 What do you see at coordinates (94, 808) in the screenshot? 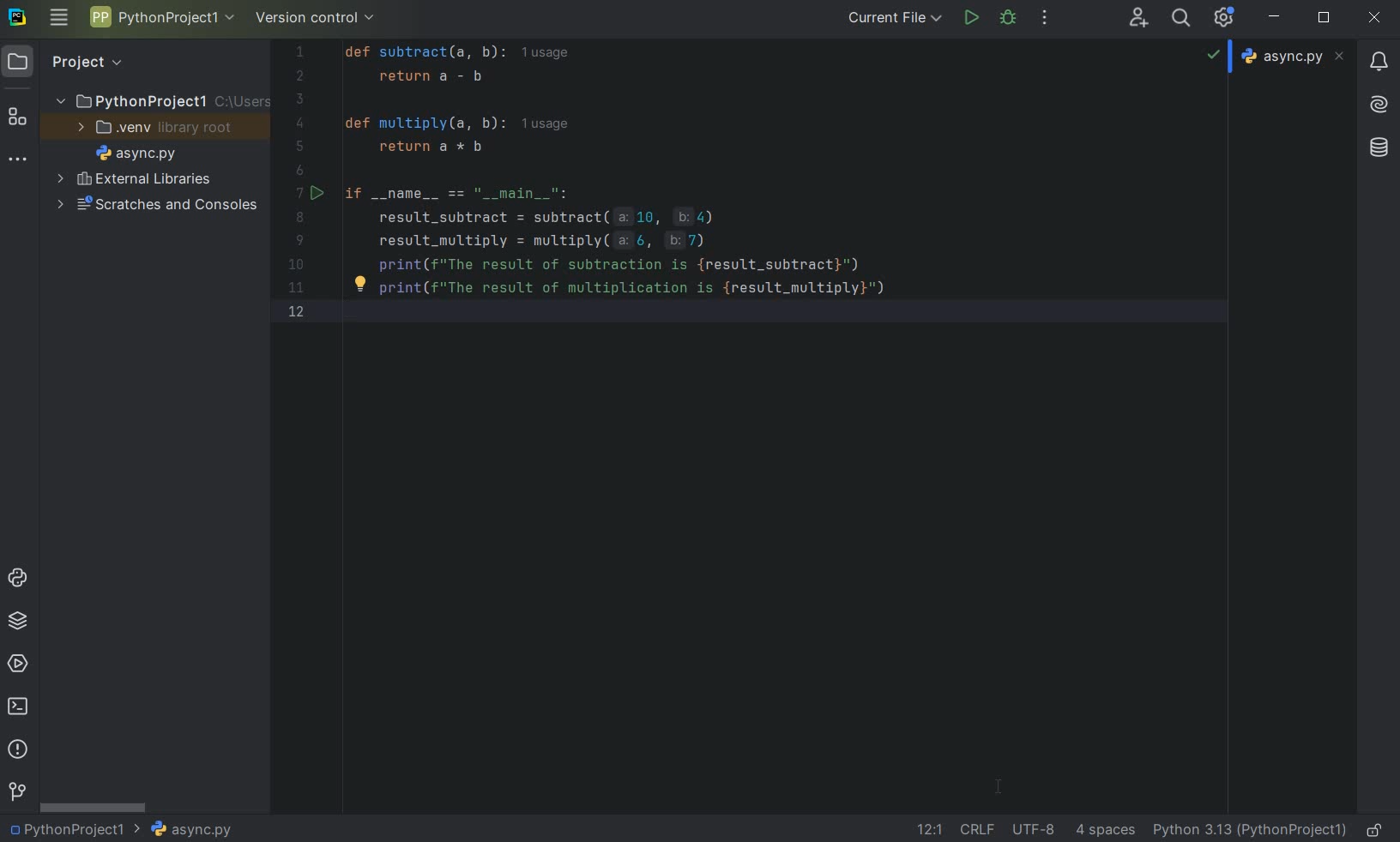
I see `srollbar` at bounding box center [94, 808].